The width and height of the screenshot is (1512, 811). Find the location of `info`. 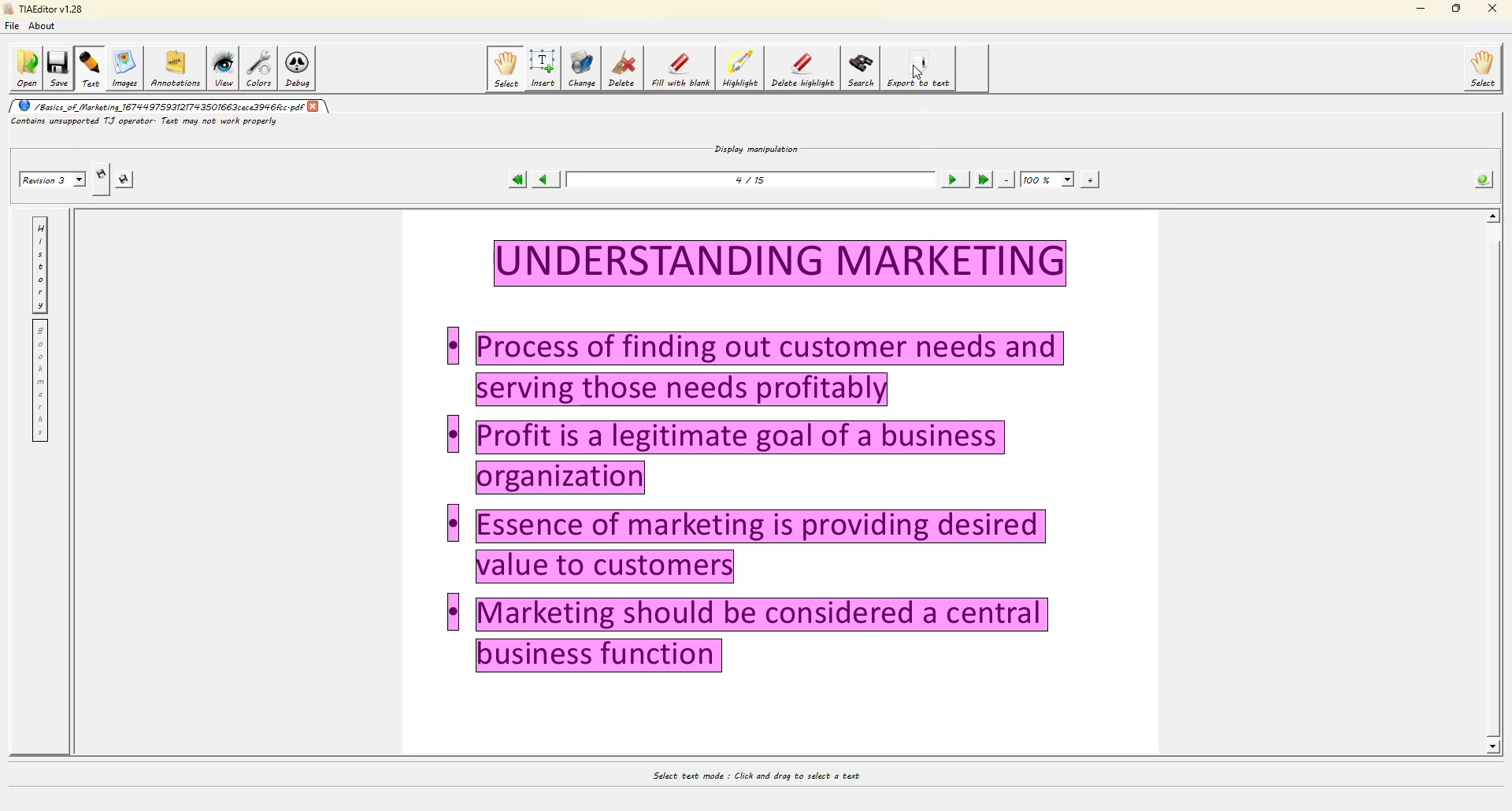

info is located at coordinates (1477, 181).